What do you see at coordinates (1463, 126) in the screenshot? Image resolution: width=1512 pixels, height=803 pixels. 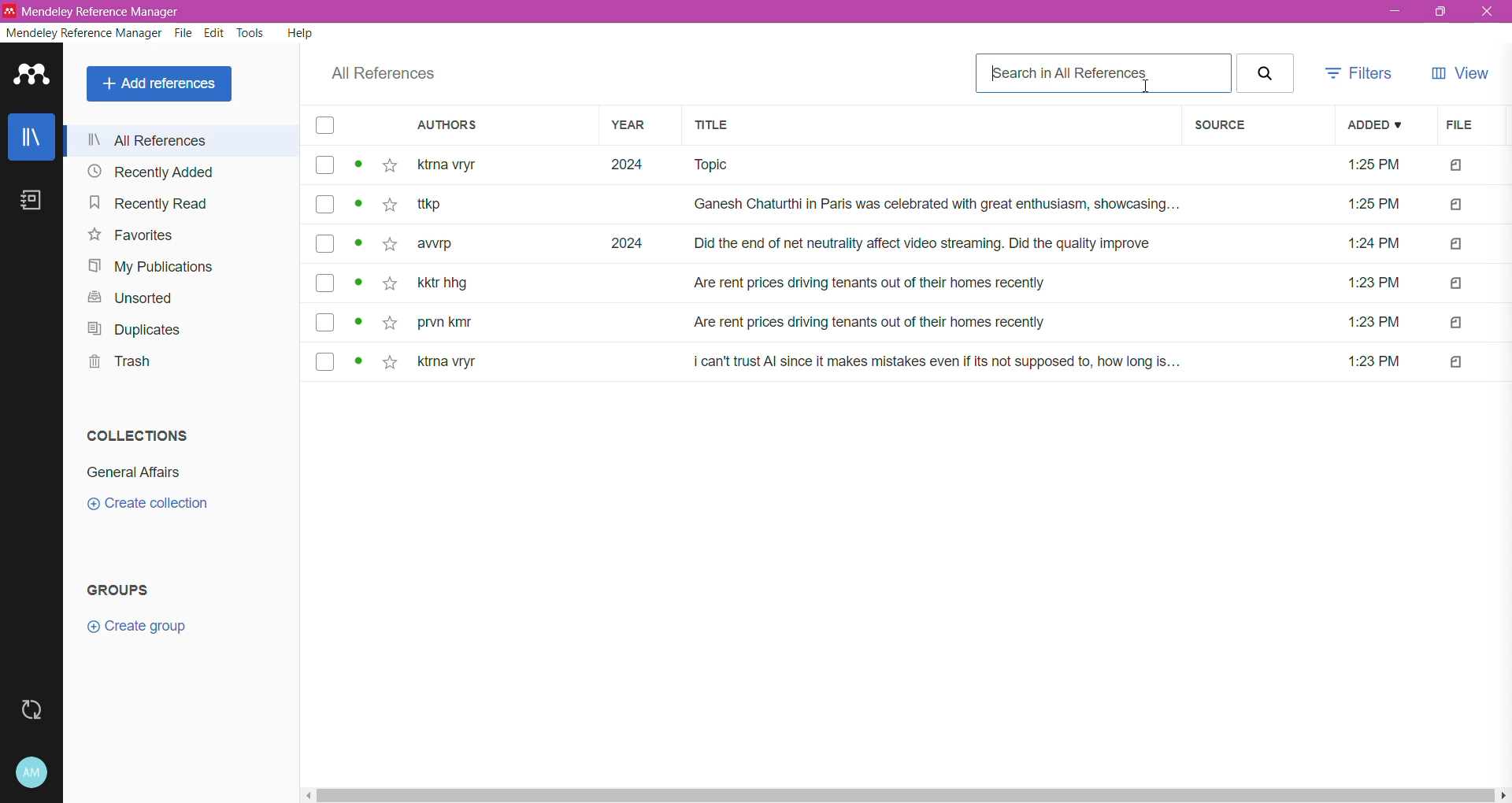 I see `File` at bounding box center [1463, 126].